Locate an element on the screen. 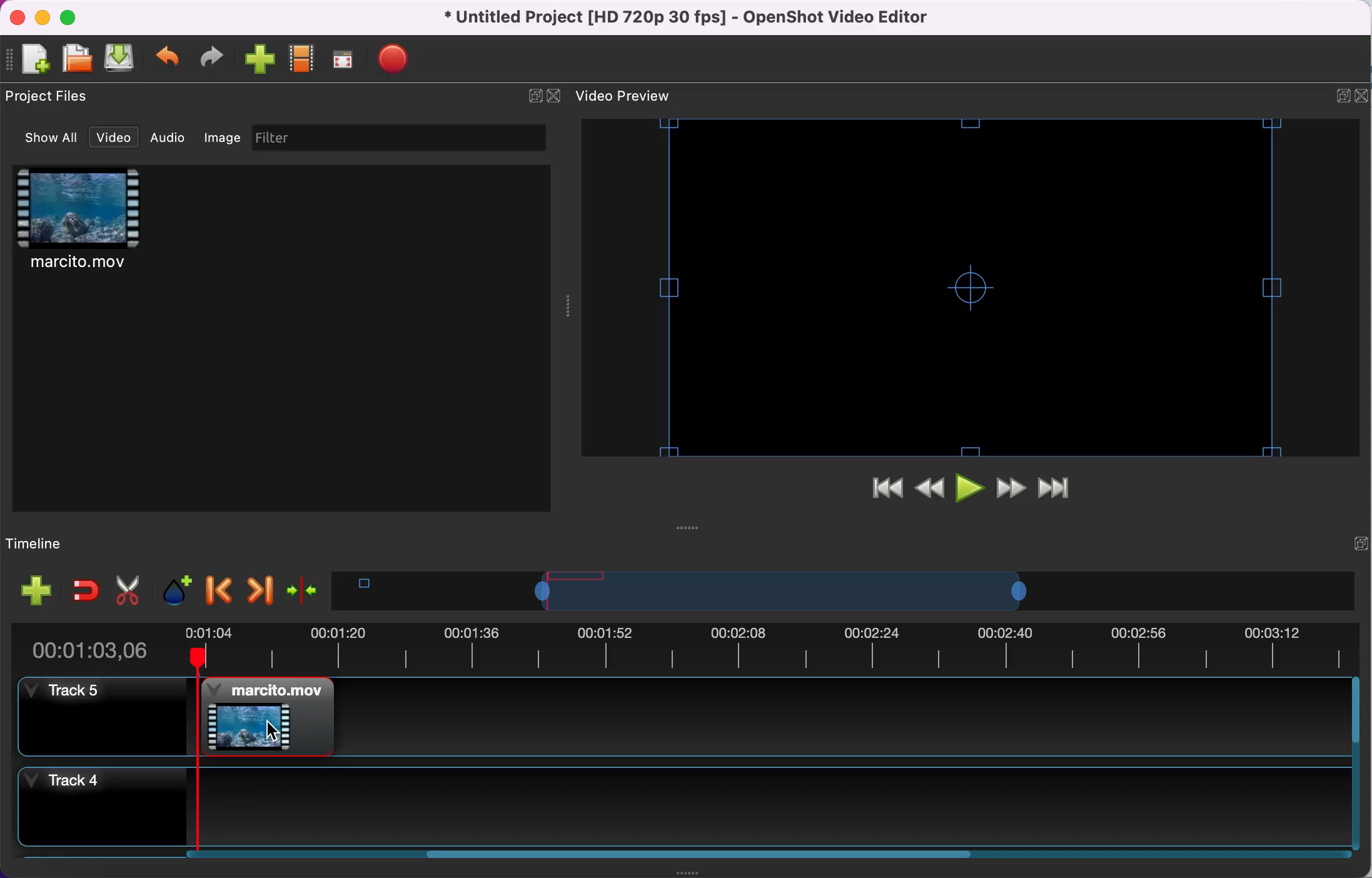 This screenshot has width=1372, height=878. import file is located at coordinates (261, 60).